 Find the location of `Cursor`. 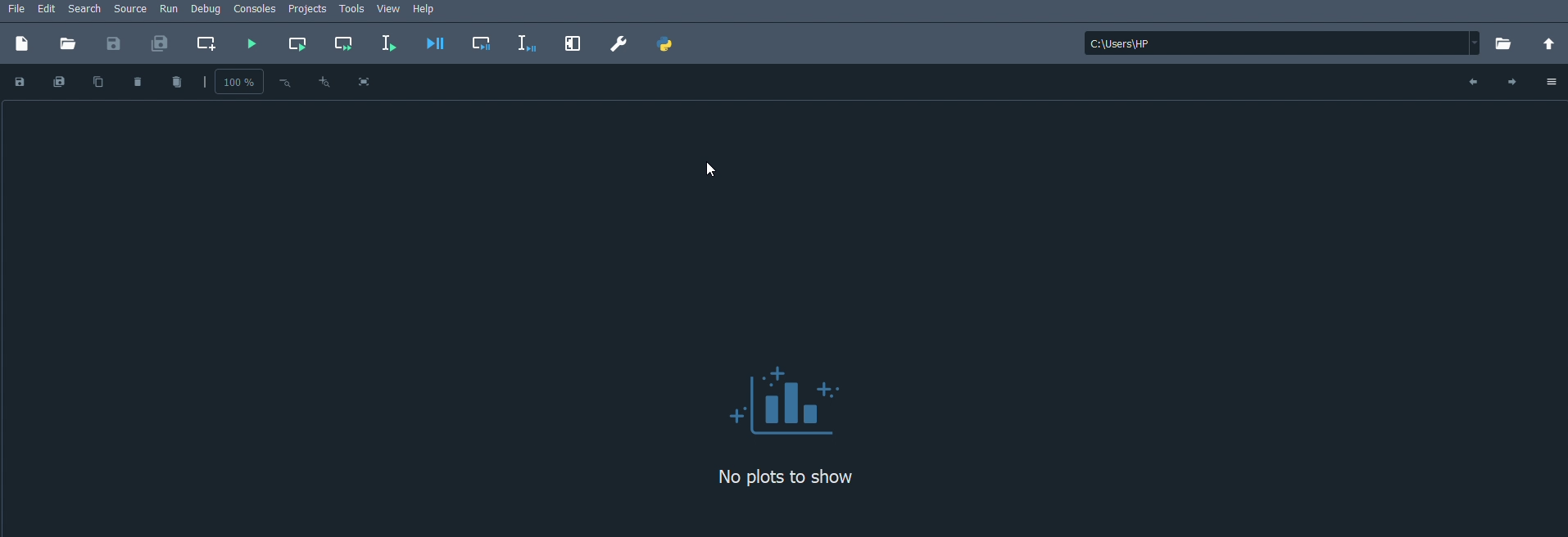

Cursor is located at coordinates (712, 174).